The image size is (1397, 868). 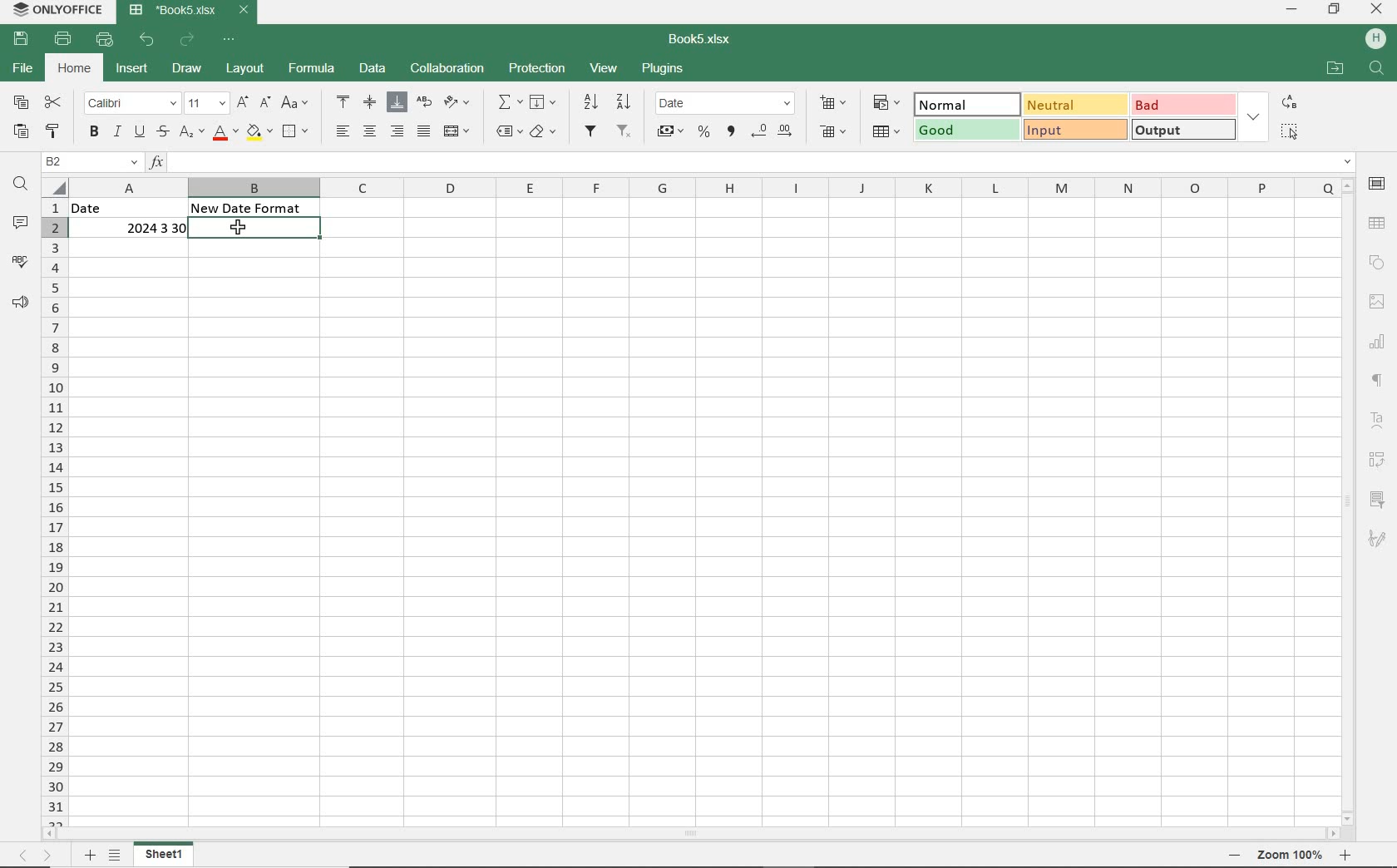 I want to click on SPELL CHECKING, so click(x=21, y=262).